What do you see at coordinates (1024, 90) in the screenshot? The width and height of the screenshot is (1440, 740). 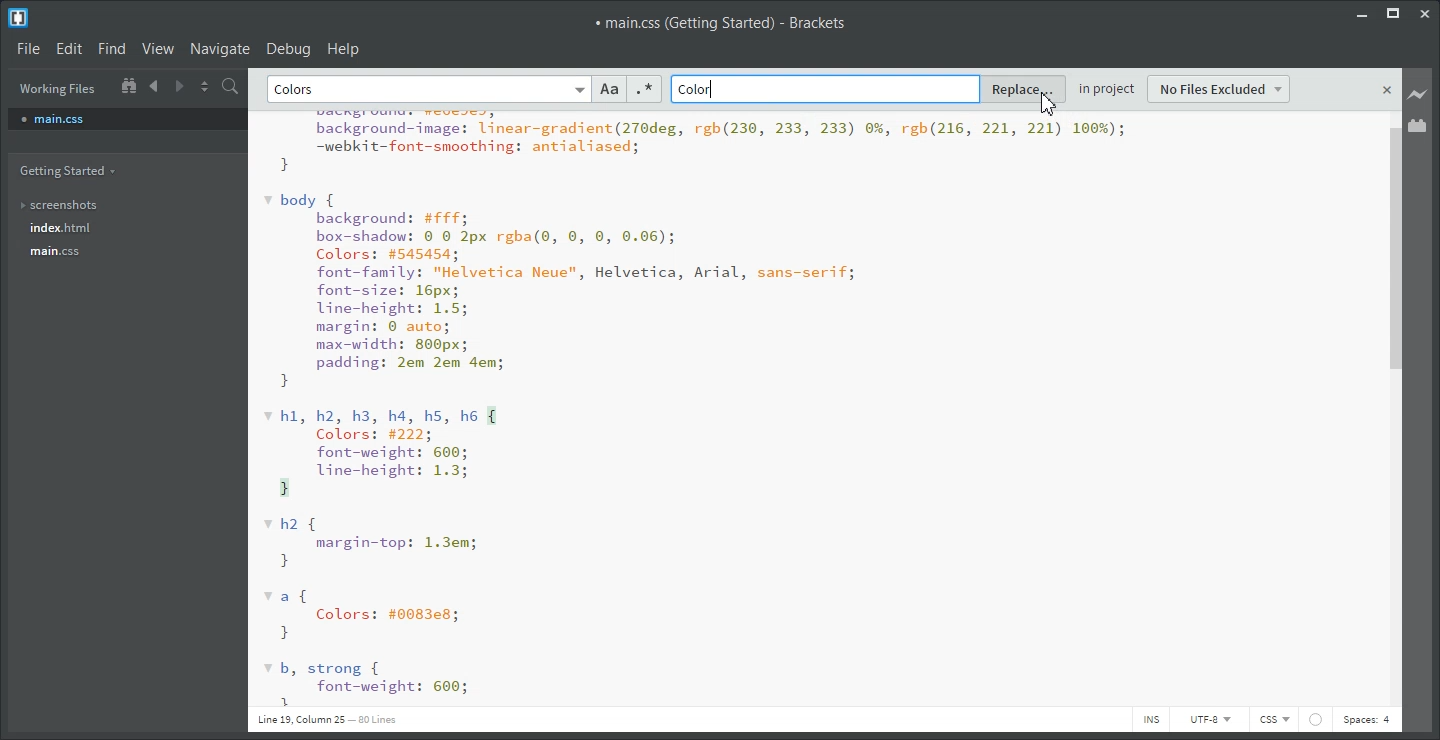 I see `Replace` at bounding box center [1024, 90].